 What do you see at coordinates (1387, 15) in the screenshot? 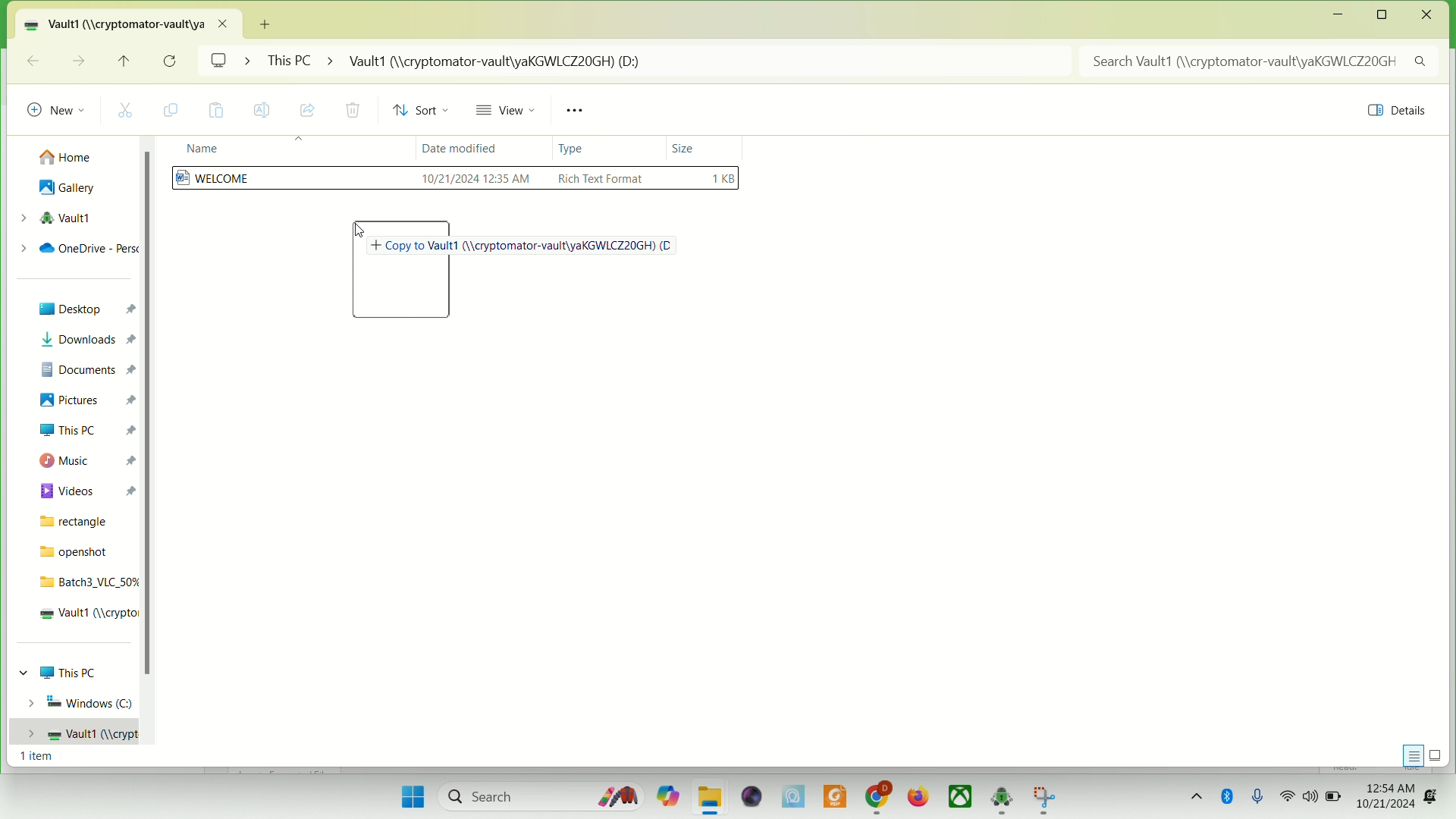
I see `maximize` at bounding box center [1387, 15].